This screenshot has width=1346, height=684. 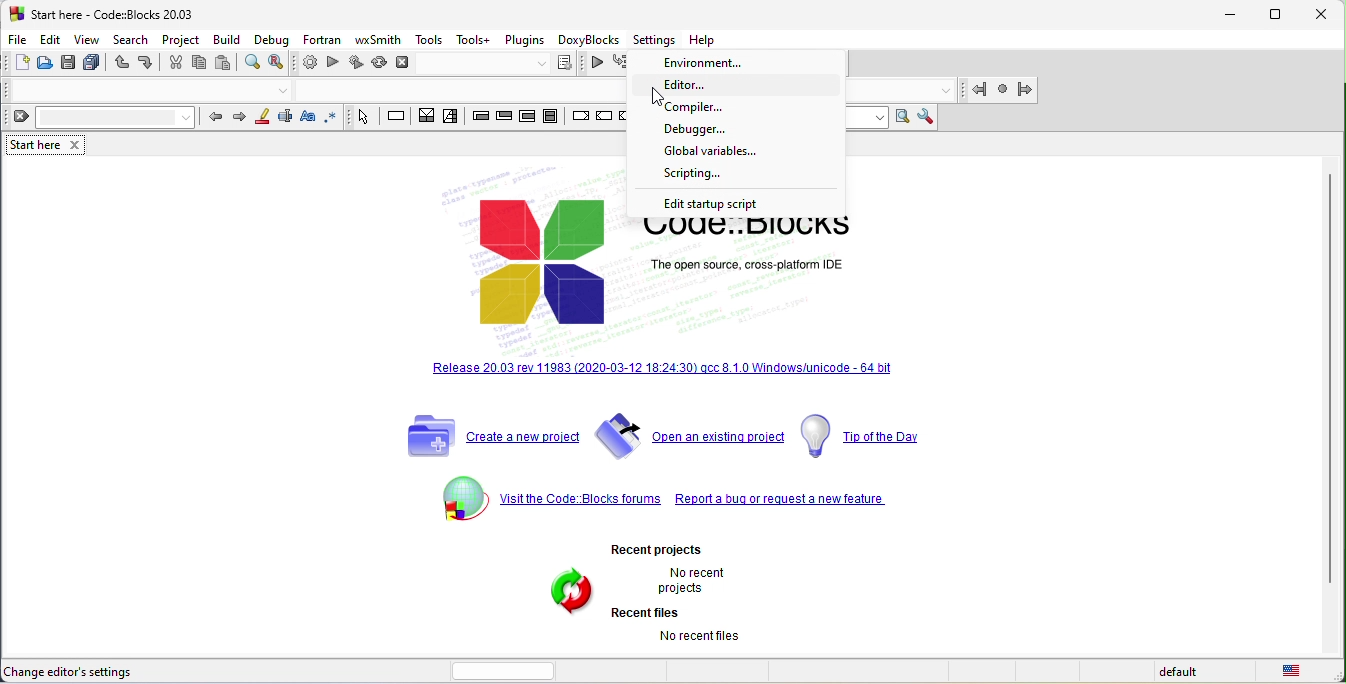 What do you see at coordinates (719, 205) in the screenshot?
I see `edit startup script` at bounding box center [719, 205].